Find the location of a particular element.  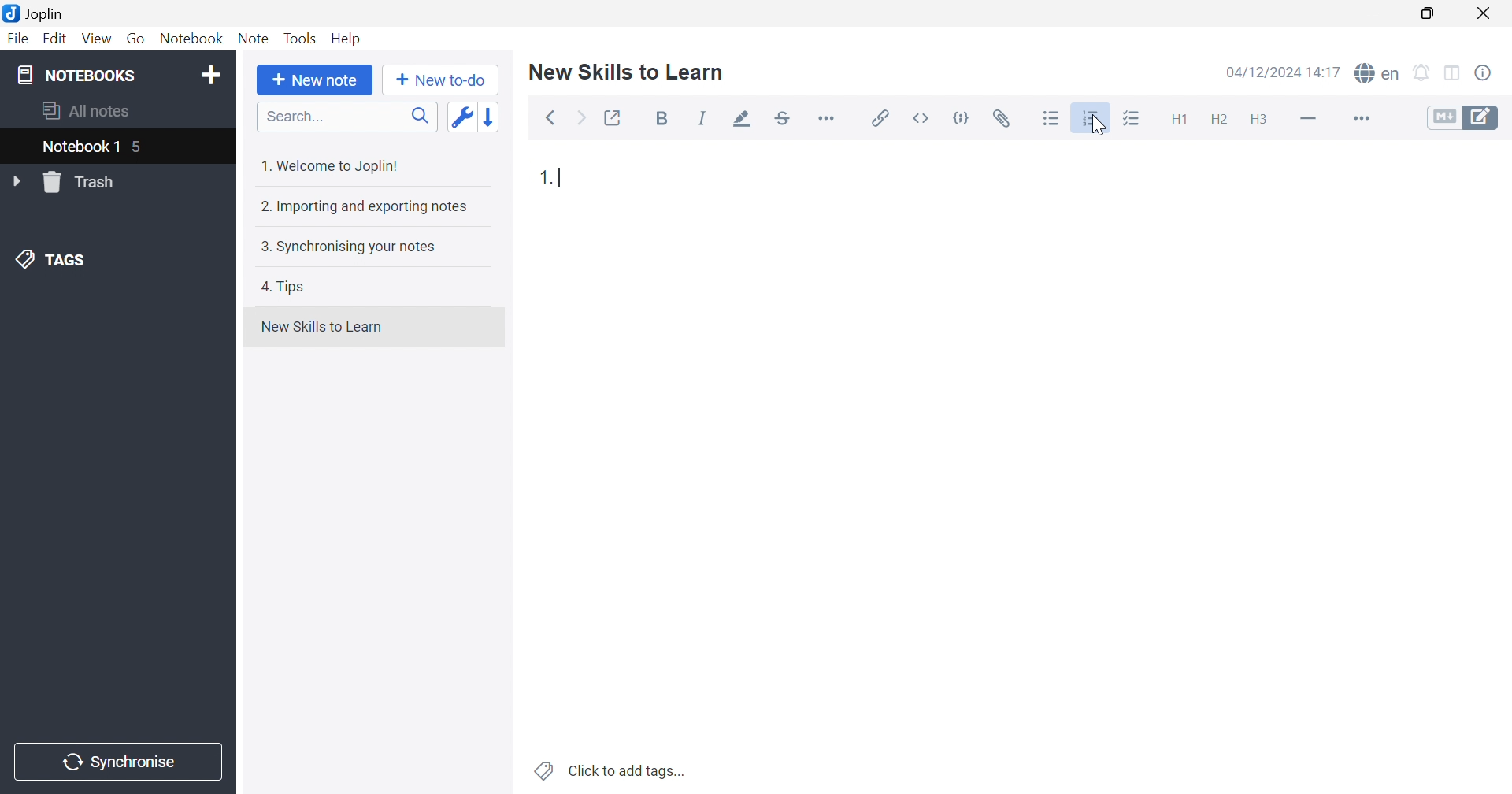

cursor is located at coordinates (1095, 126).